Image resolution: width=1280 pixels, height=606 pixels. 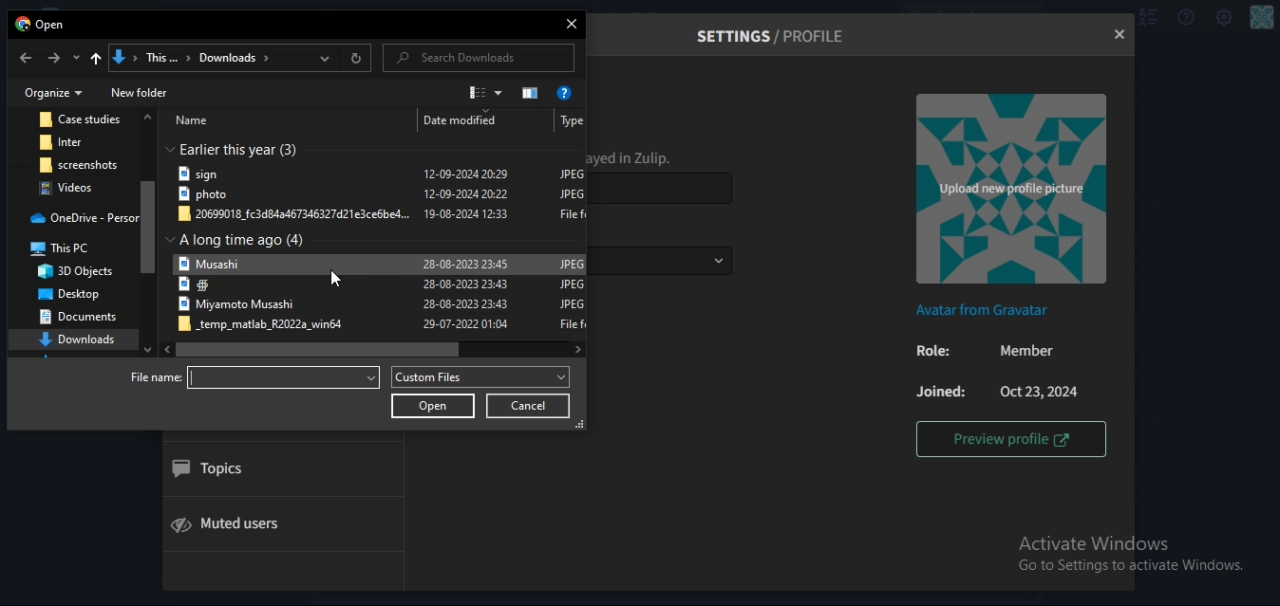 What do you see at coordinates (1224, 19) in the screenshot?
I see `main menu` at bounding box center [1224, 19].